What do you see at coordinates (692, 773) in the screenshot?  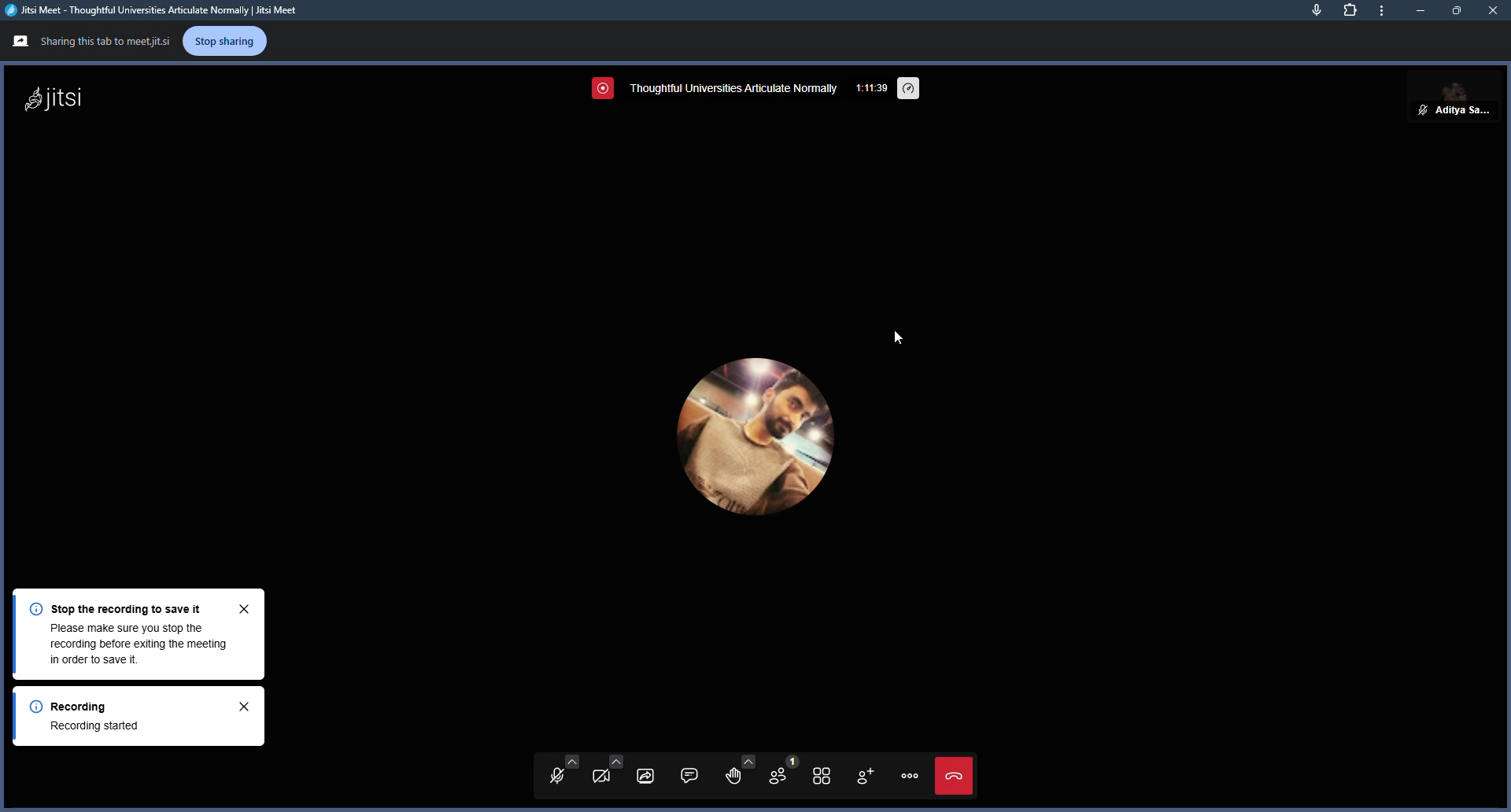 I see `open chat` at bounding box center [692, 773].